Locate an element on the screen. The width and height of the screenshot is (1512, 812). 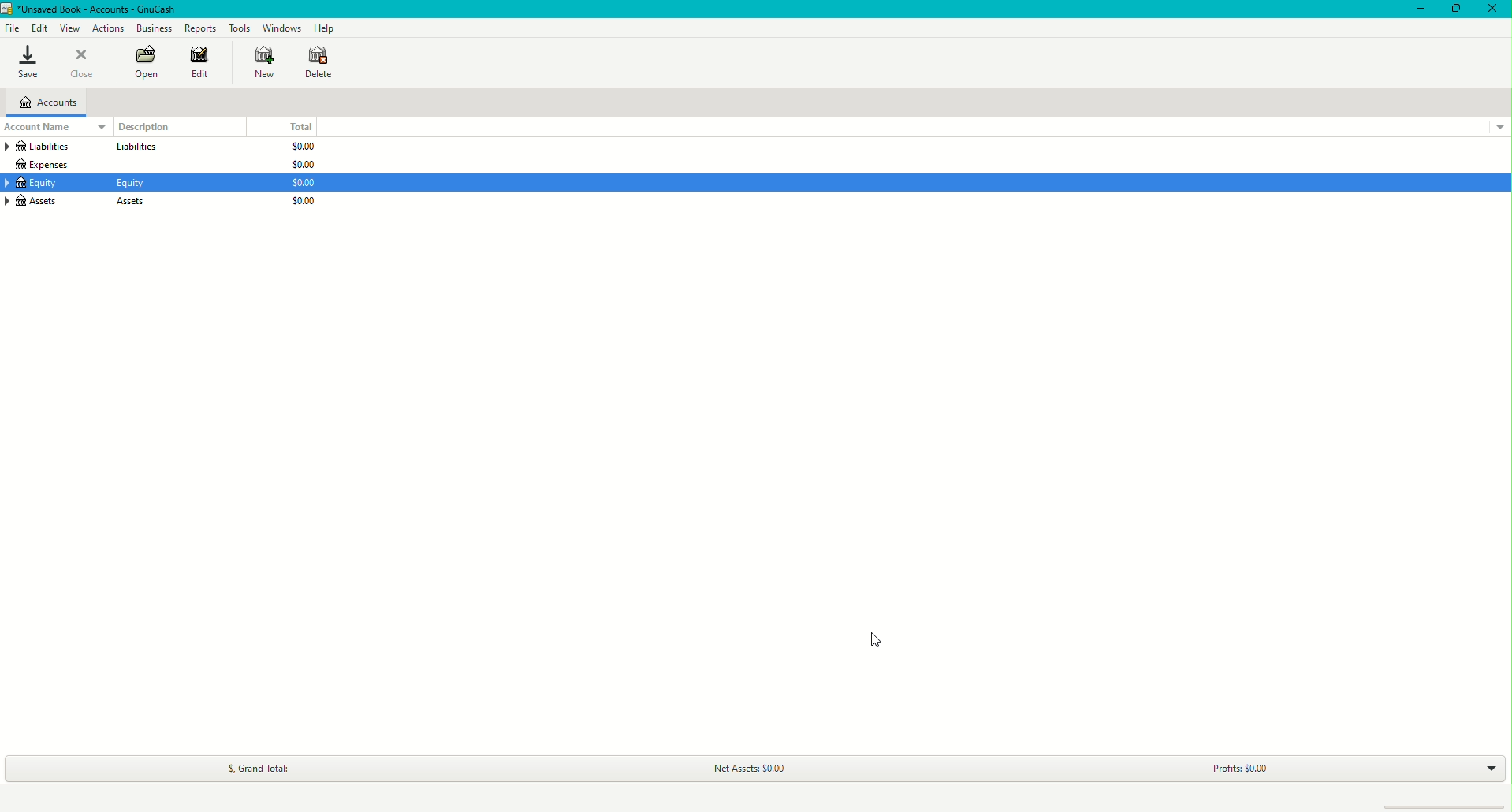
Description is located at coordinates (142, 126).